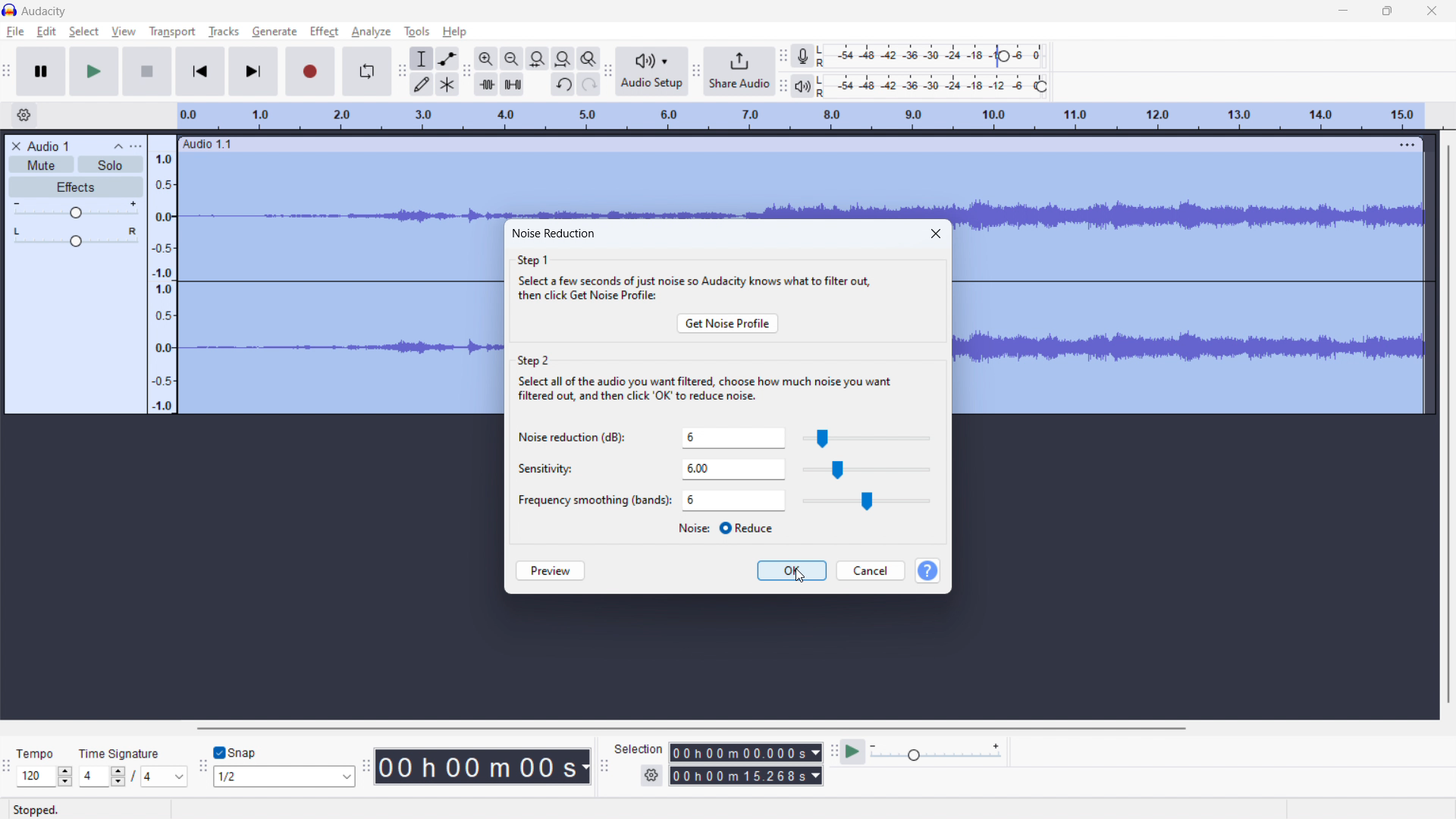 The height and width of the screenshot is (819, 1456). I want to click on tools, so click(417, 32).